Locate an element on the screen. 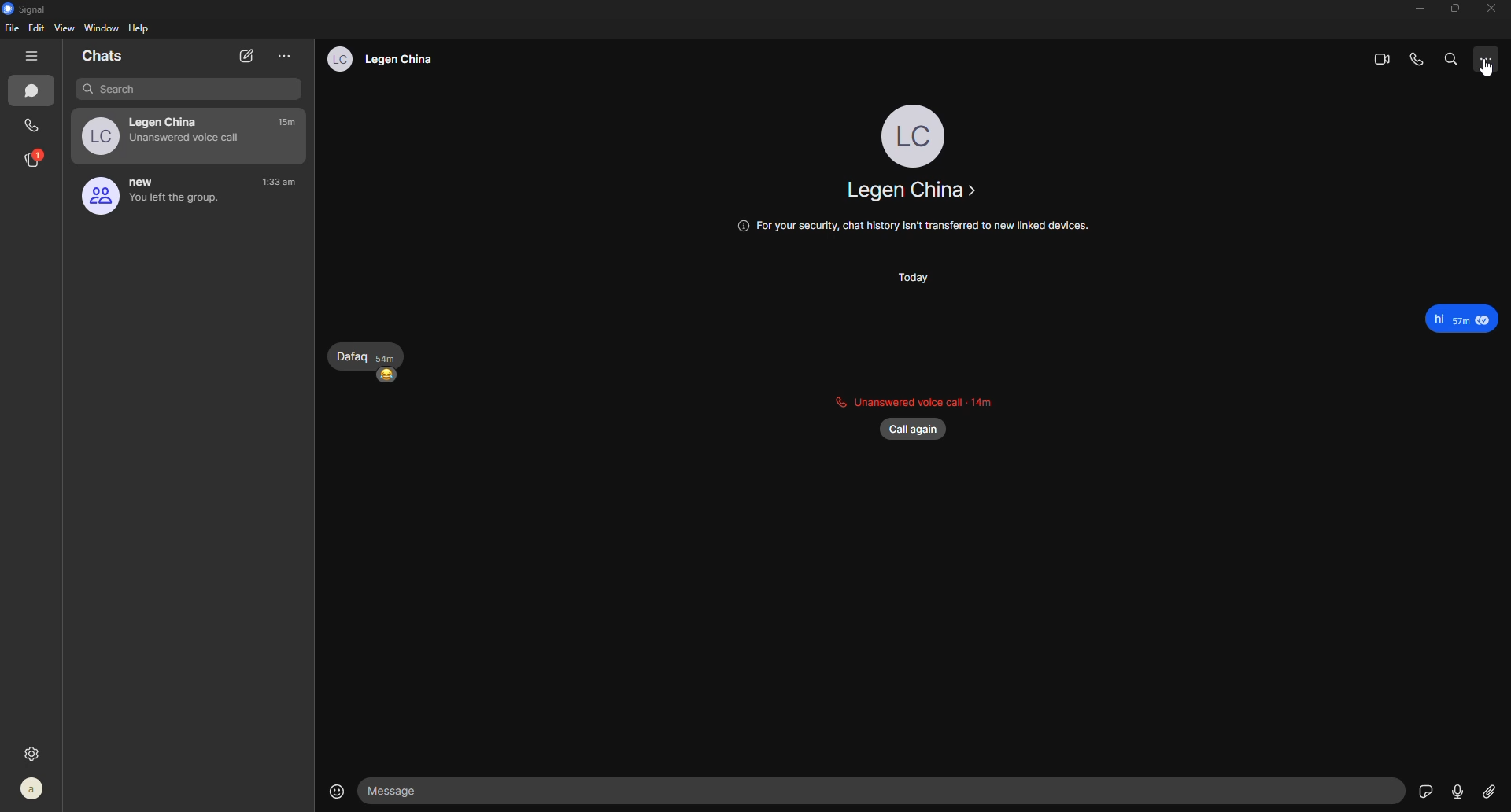 The width and height of the screenshot is (1511, 812). new
You left the group. is located at coordinates (144, 197).